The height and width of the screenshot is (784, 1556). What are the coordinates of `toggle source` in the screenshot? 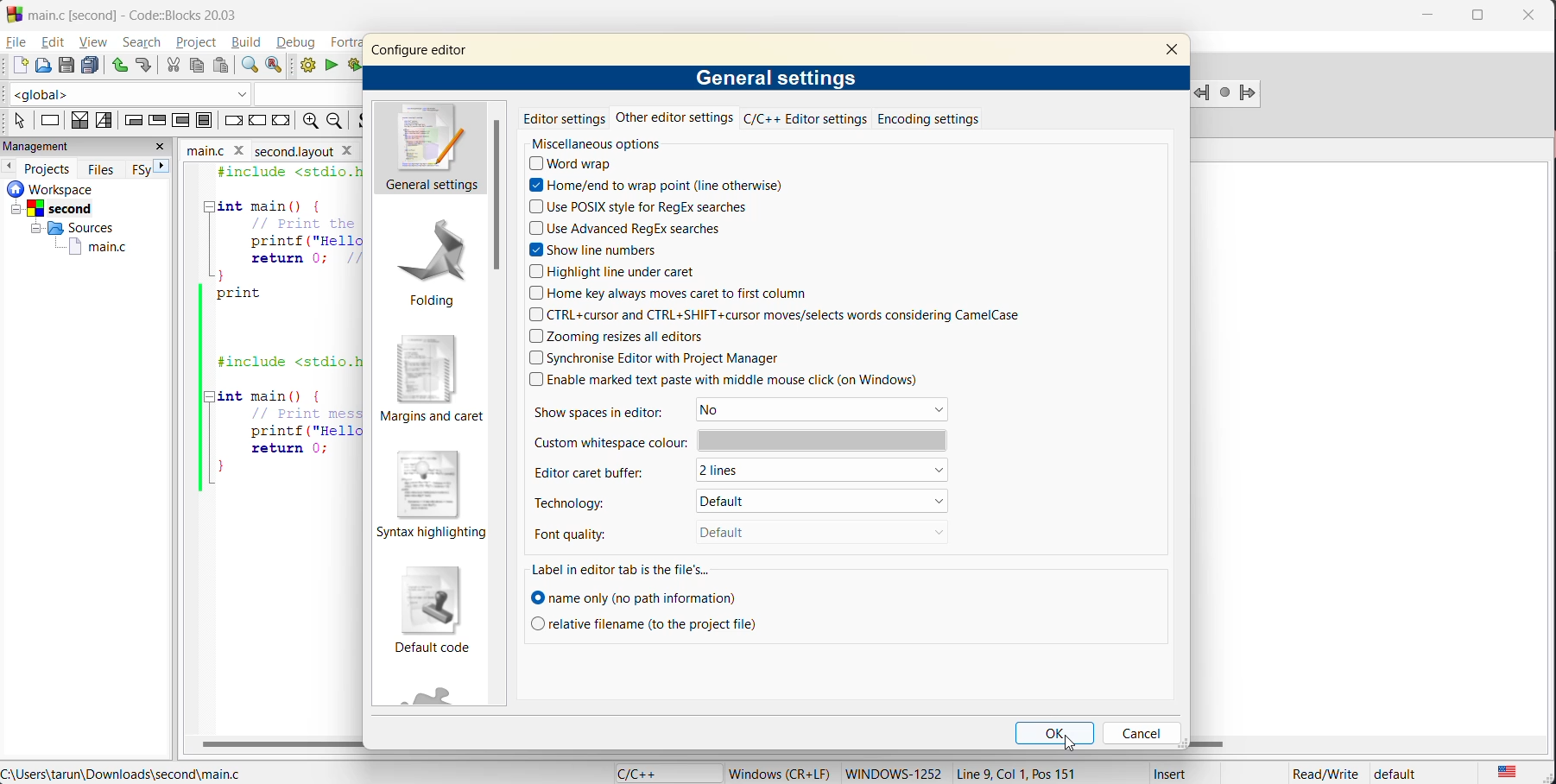 It's located at (367, 123).